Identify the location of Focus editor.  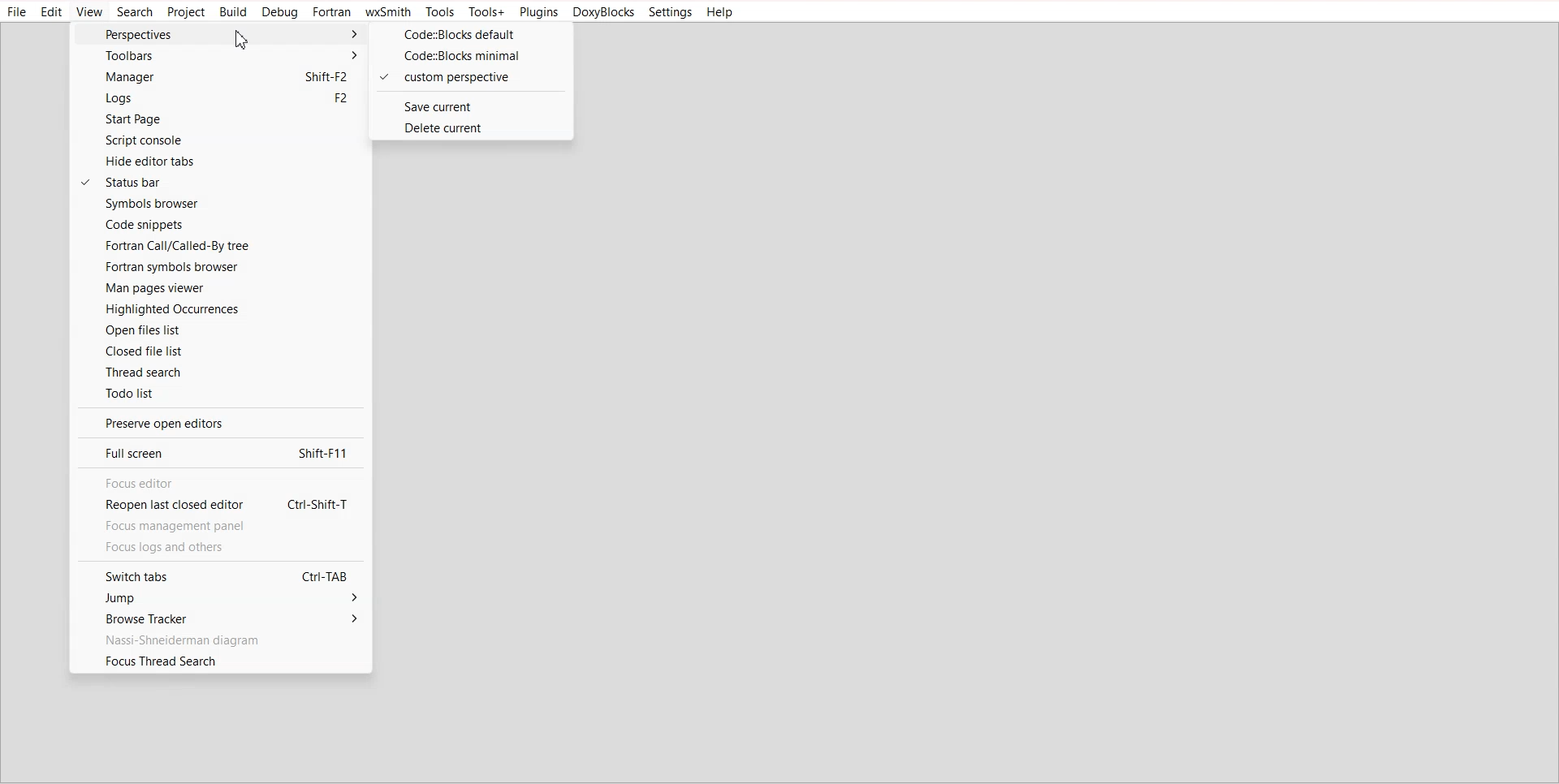
(216, 483).